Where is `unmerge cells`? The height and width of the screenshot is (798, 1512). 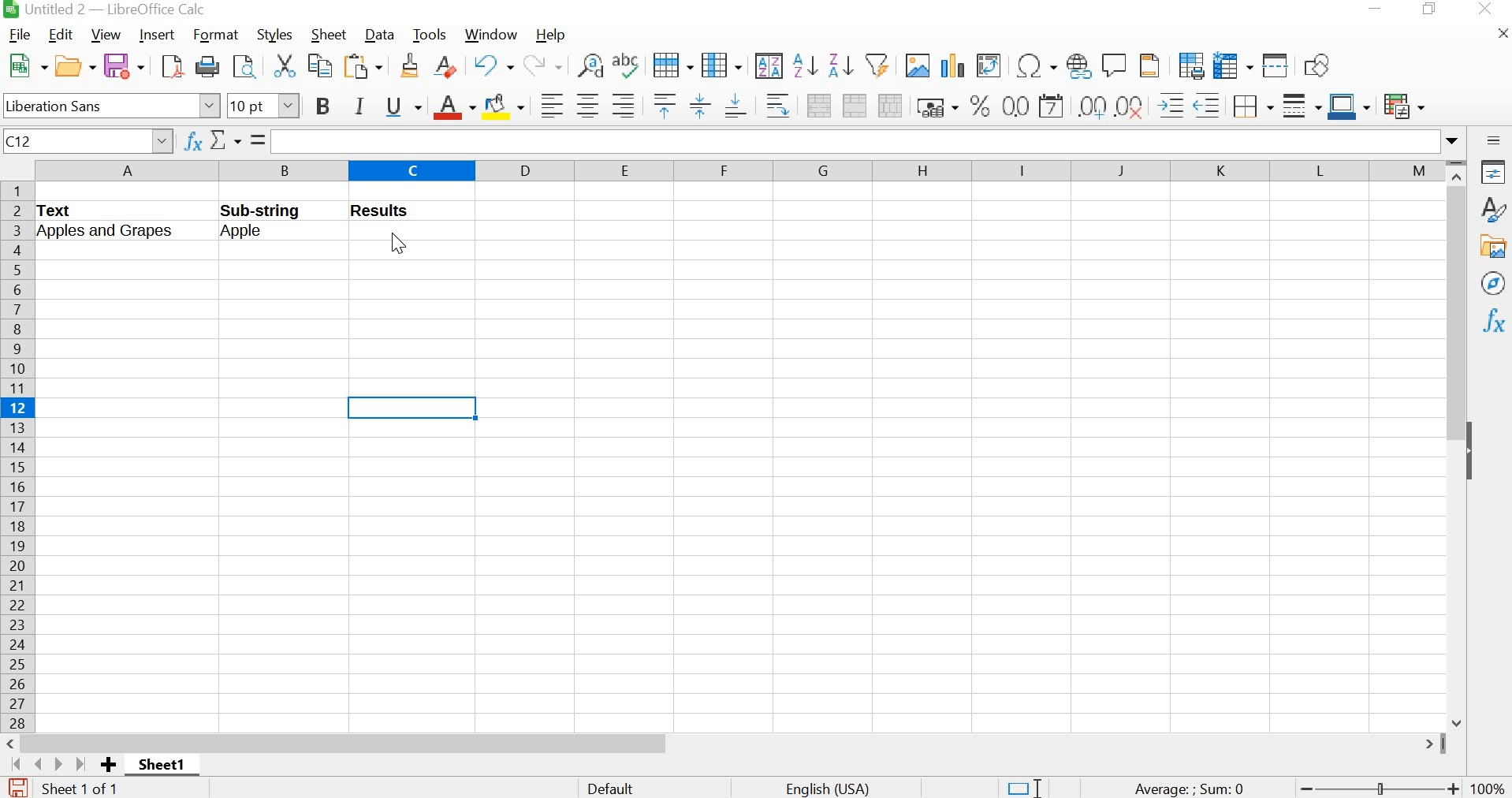 unmerge cells is located at coordinates (891, 105).